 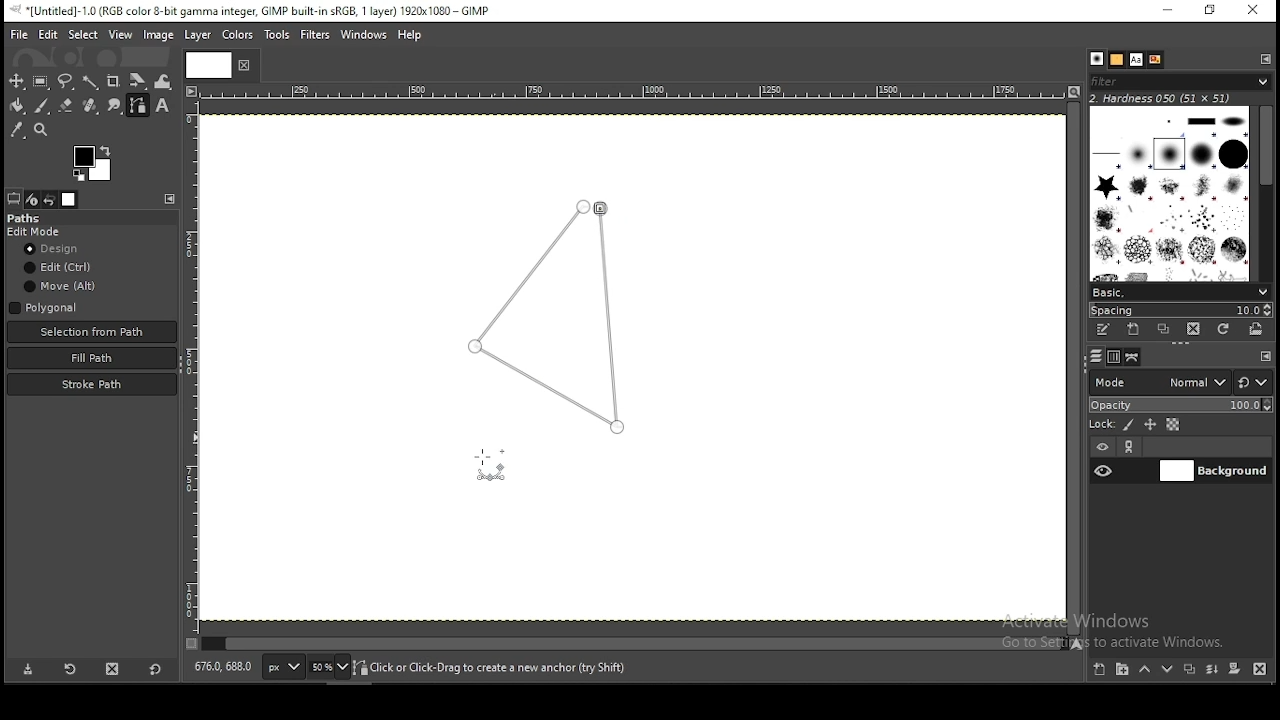 I want to click on colors, so click(x=88, y=162).